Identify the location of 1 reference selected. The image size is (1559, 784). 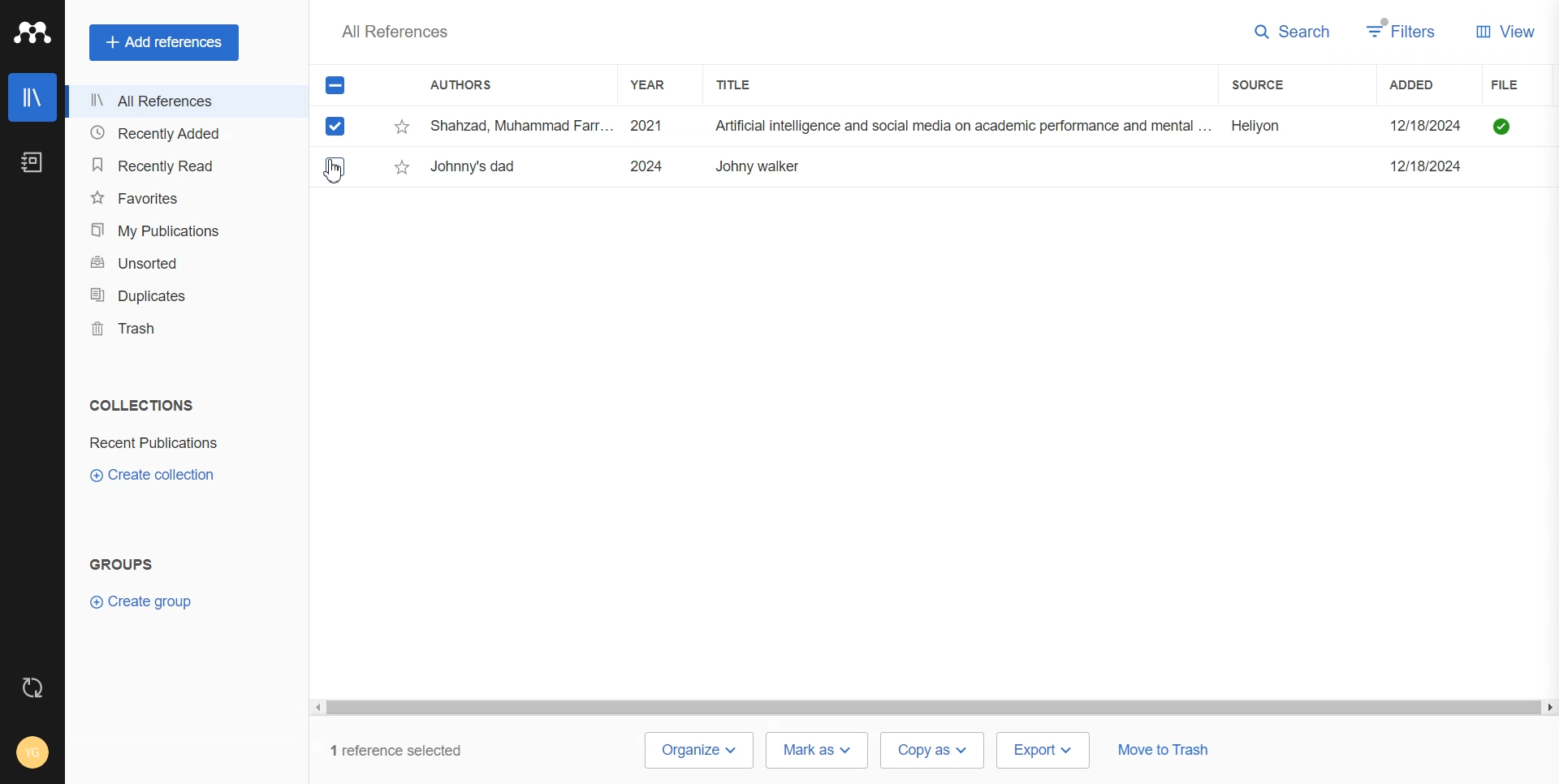
(416, 749).